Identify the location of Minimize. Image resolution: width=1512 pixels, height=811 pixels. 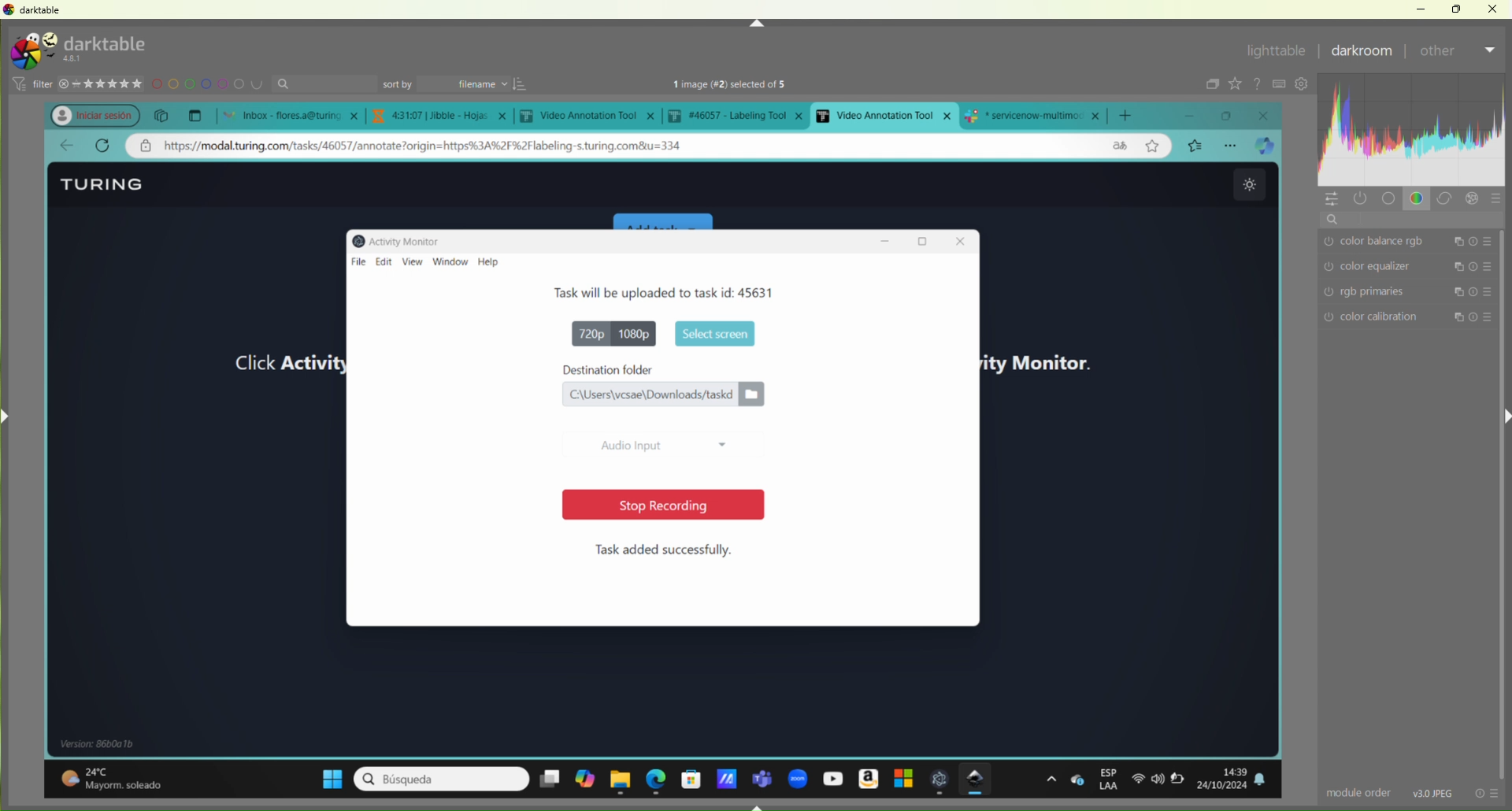
(1422, 9).